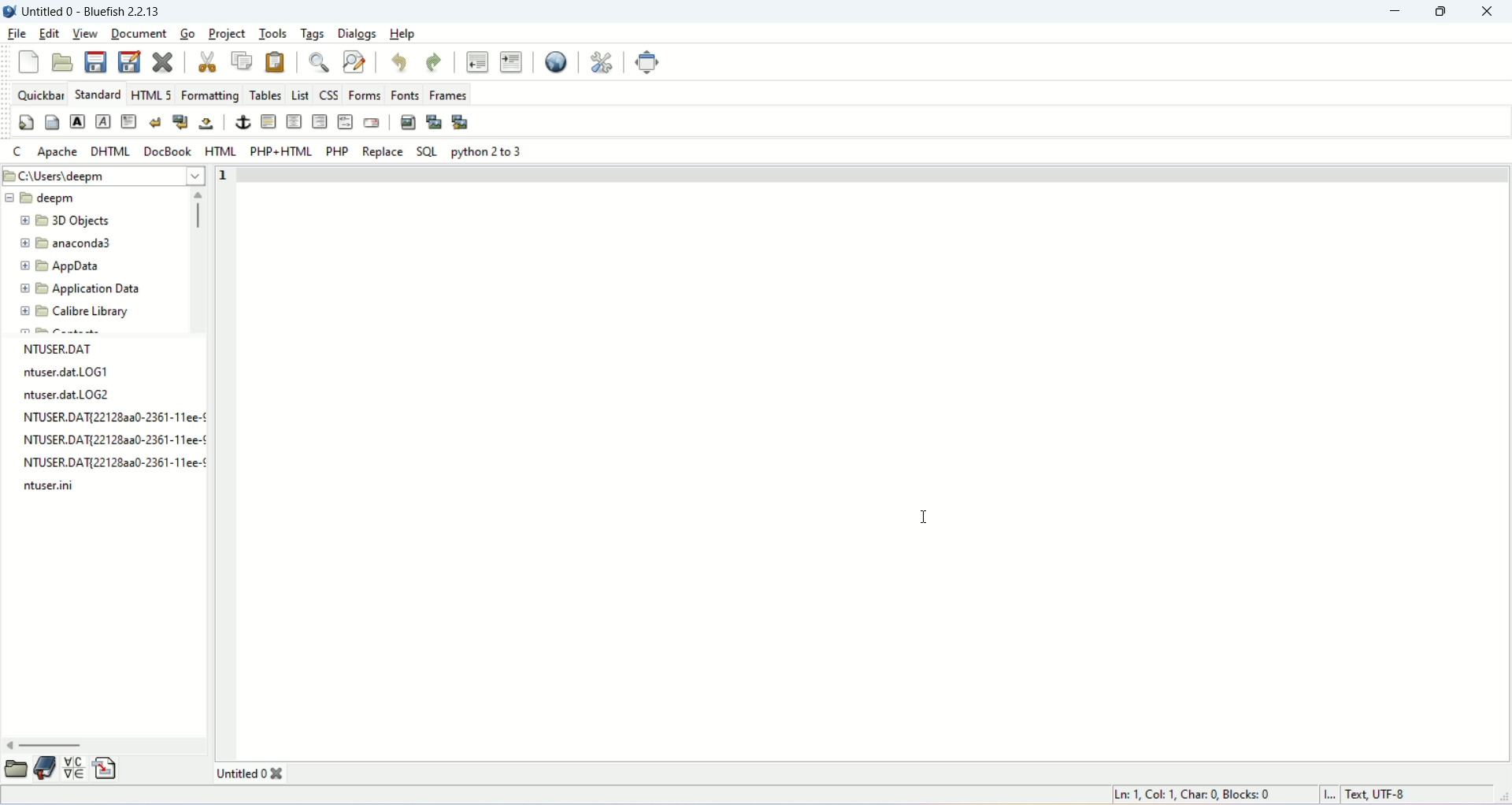 The width and height of the screenshot is (1512, 805). Describe the element at coordinates (18, 34) in the screenshot. I see `file` at that location.